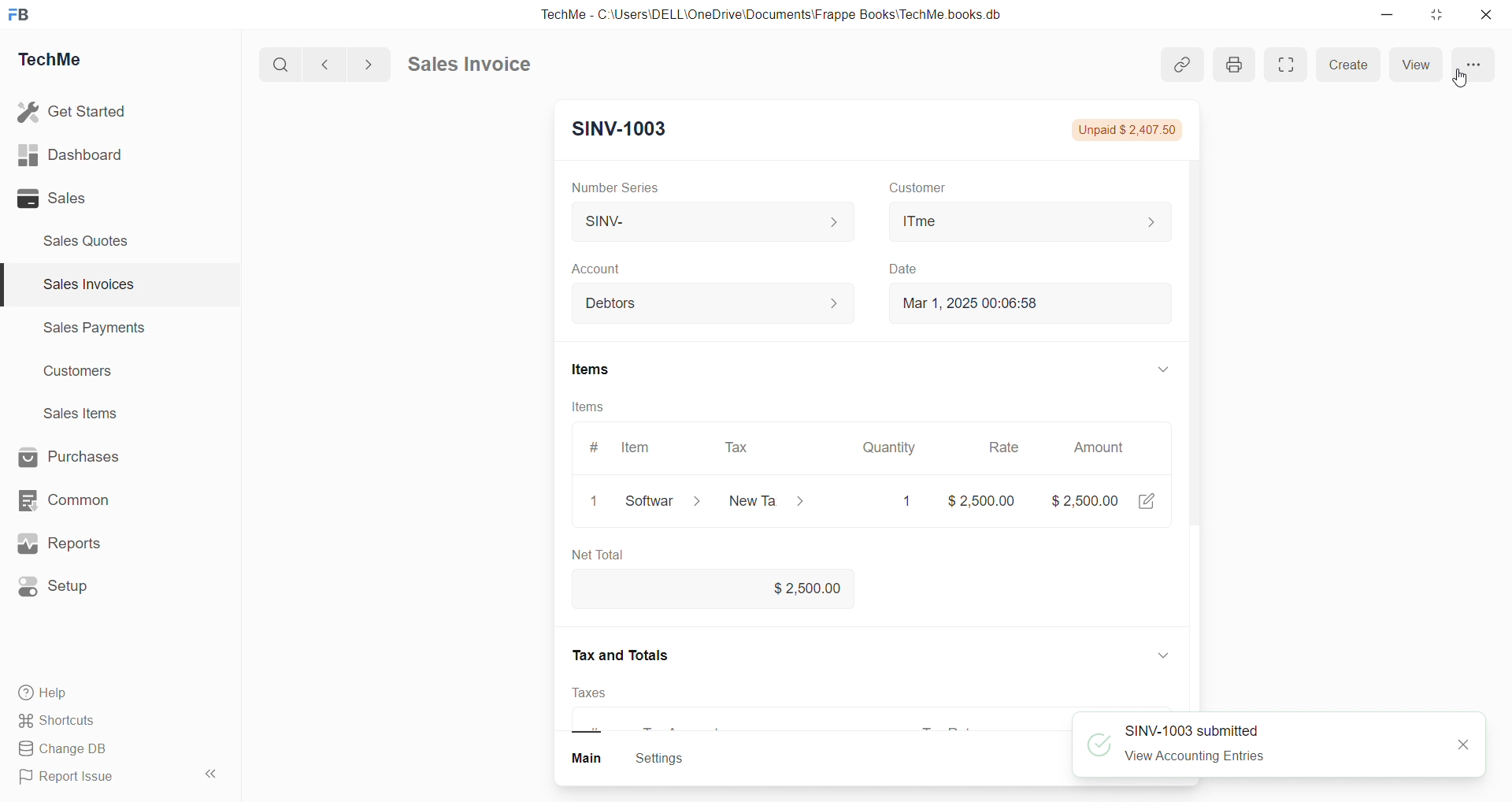 The height and width of the screenshot is (802, 1512). I want to click on print, so click(1236, 61).